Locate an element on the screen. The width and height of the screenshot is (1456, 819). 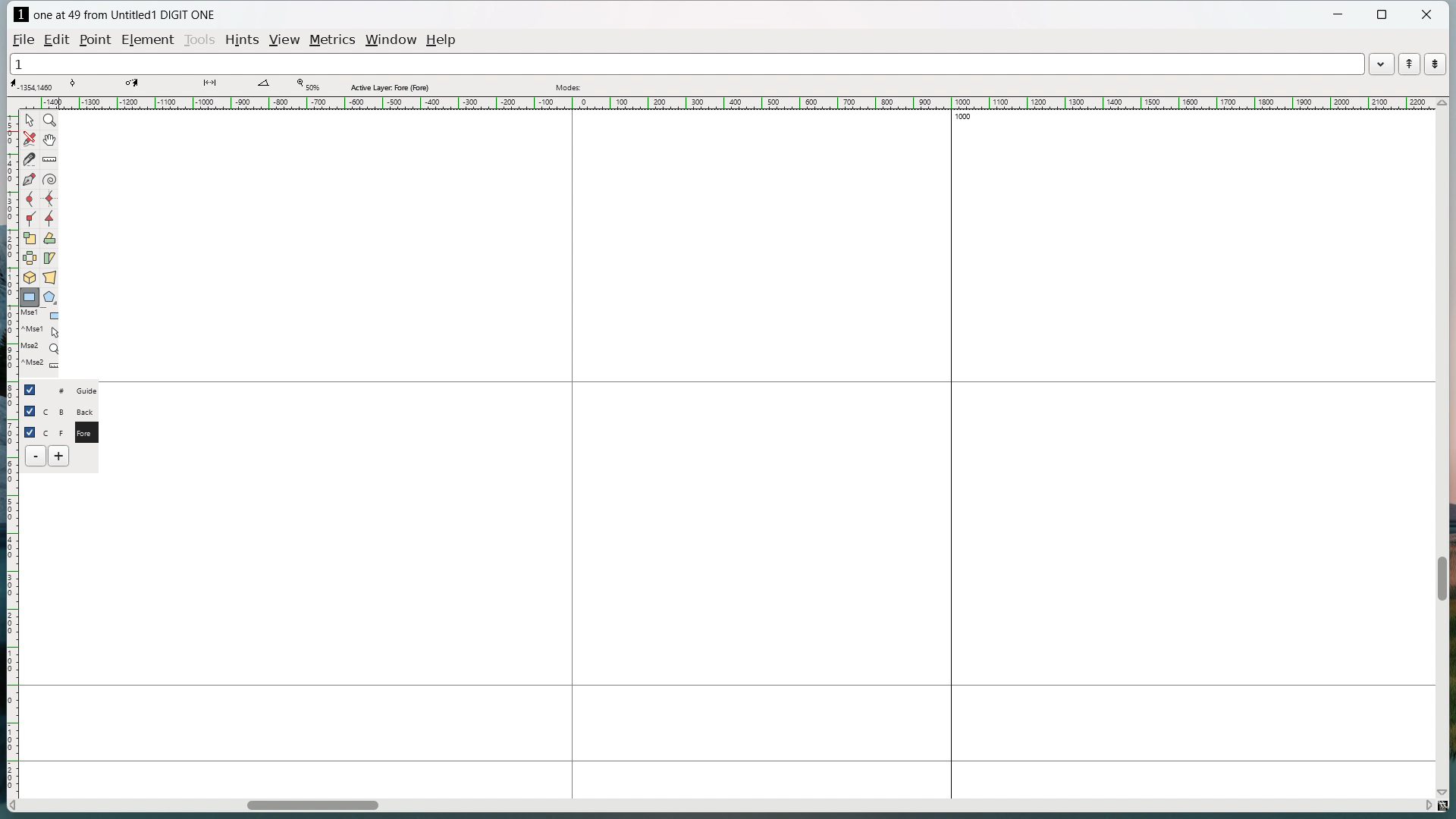
last used tools is located at coordinates (39, 343).